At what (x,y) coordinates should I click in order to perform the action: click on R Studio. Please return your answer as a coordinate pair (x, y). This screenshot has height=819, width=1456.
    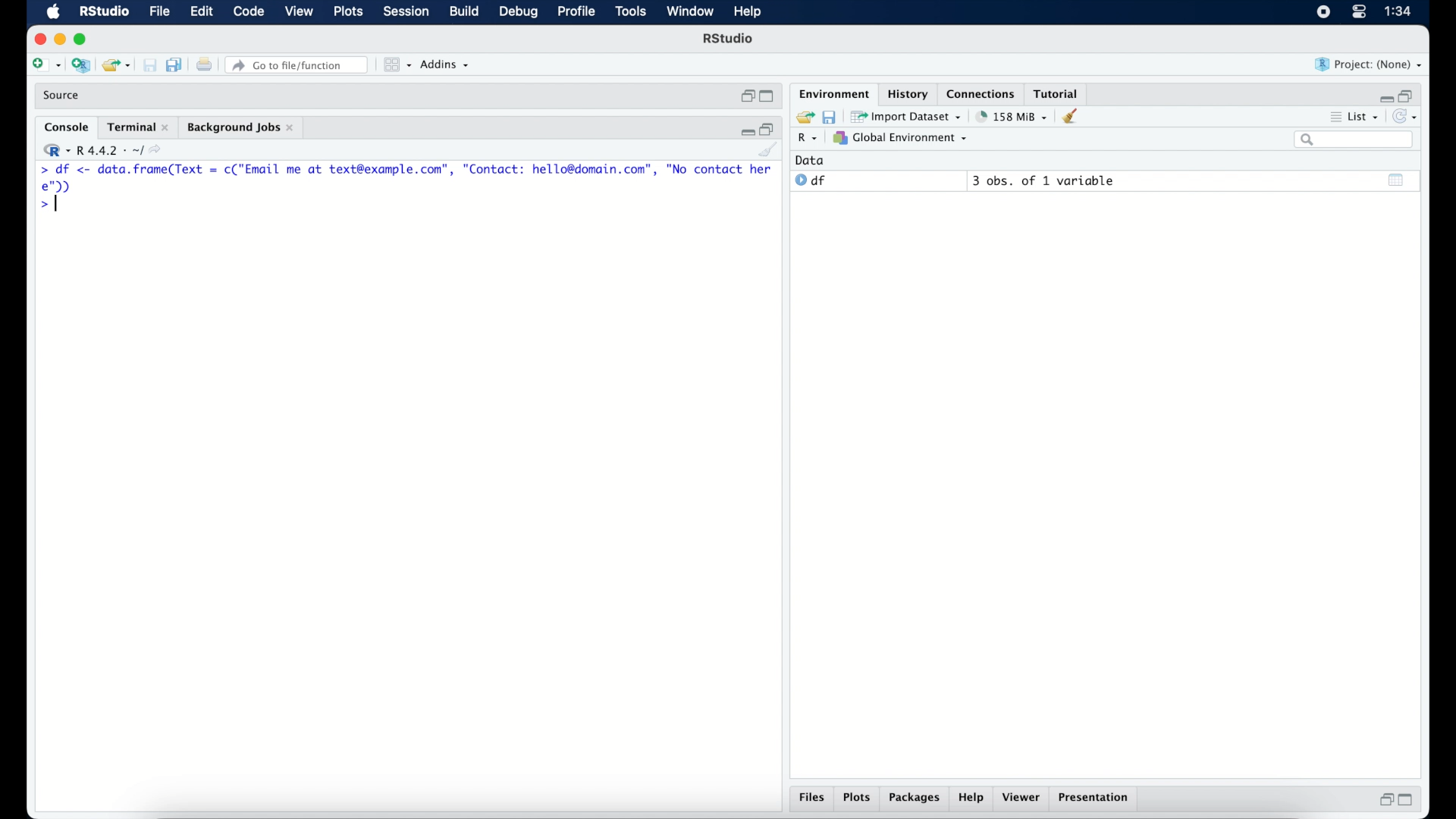
    Looking at the image, I should click on (730, 40).